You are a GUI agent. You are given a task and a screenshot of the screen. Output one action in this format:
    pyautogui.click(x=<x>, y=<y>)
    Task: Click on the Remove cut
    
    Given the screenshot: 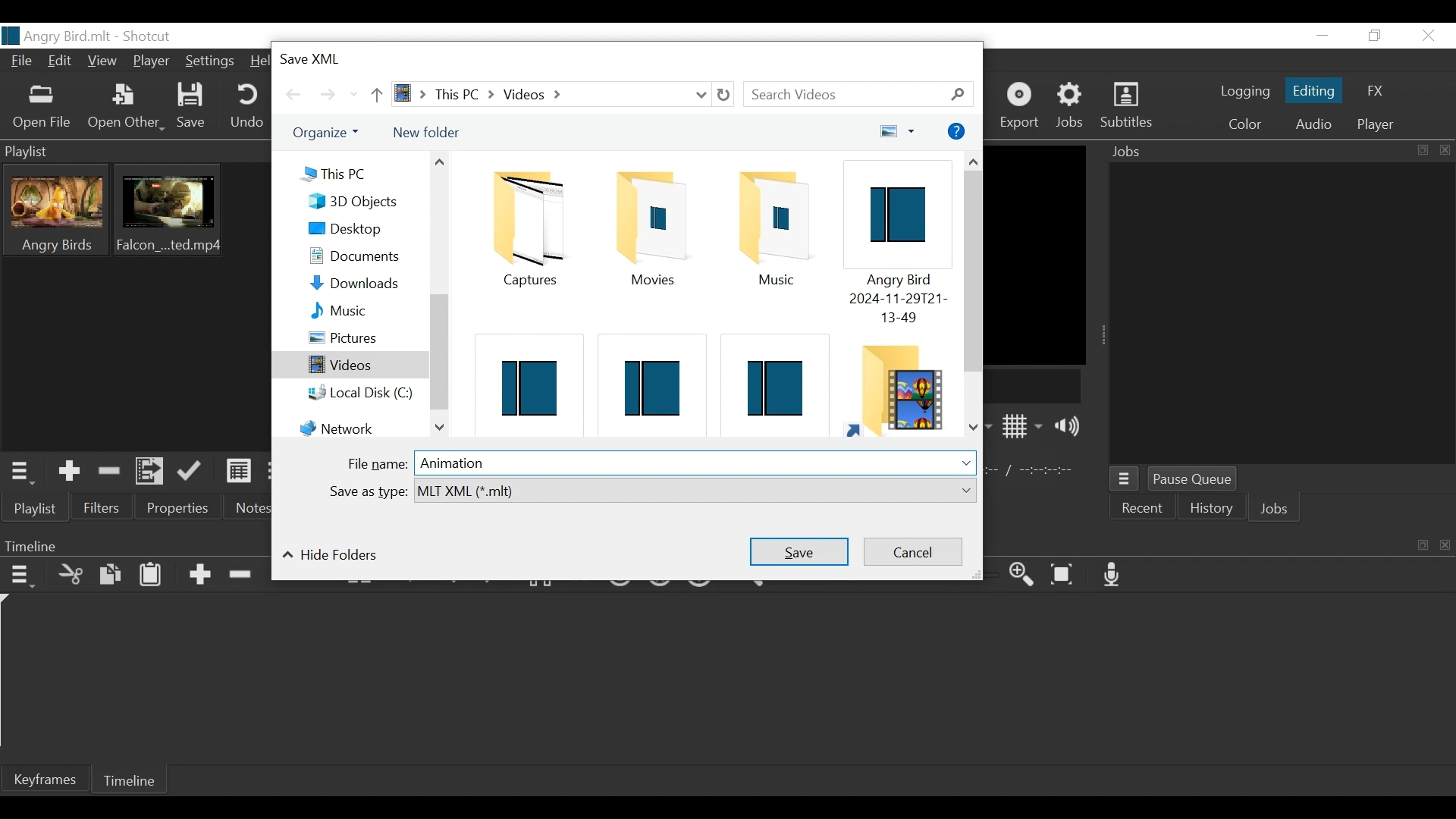 What is the action you would take?
    pyautogui.click(x=110, y=471)
    